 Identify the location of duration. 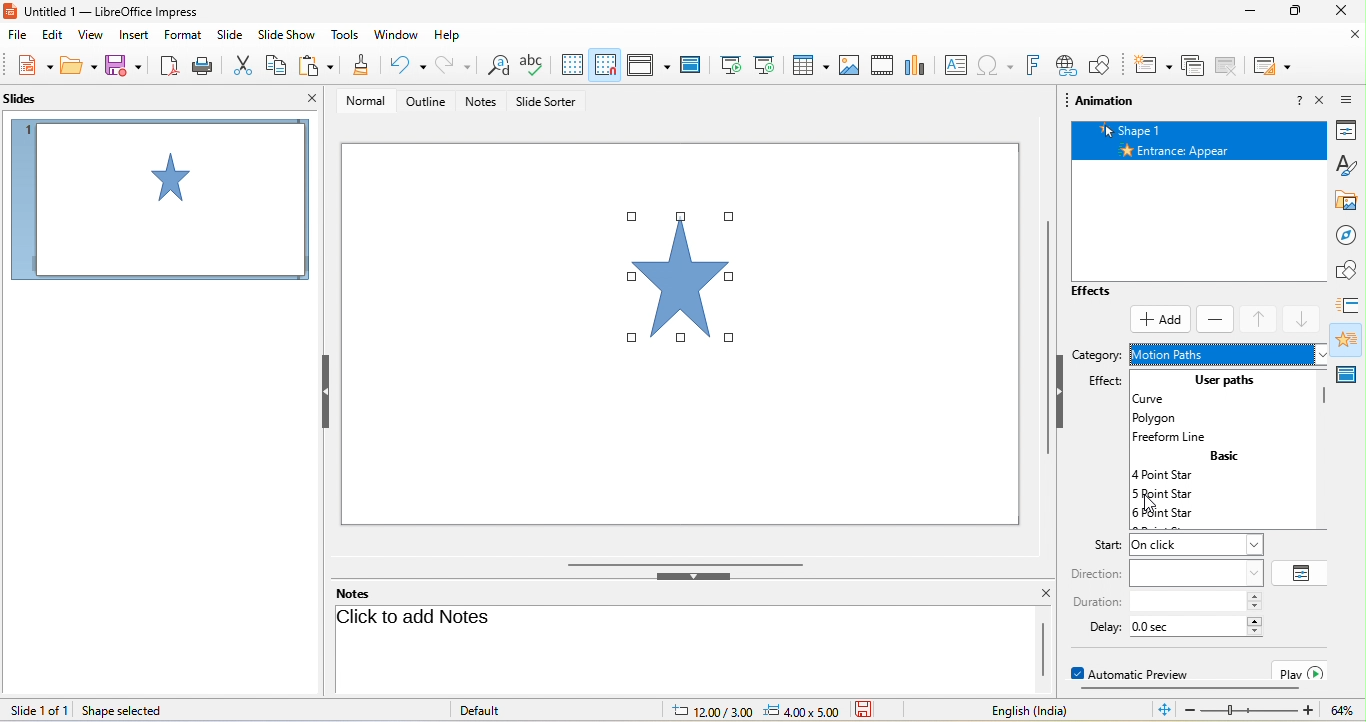
(1096, 602).